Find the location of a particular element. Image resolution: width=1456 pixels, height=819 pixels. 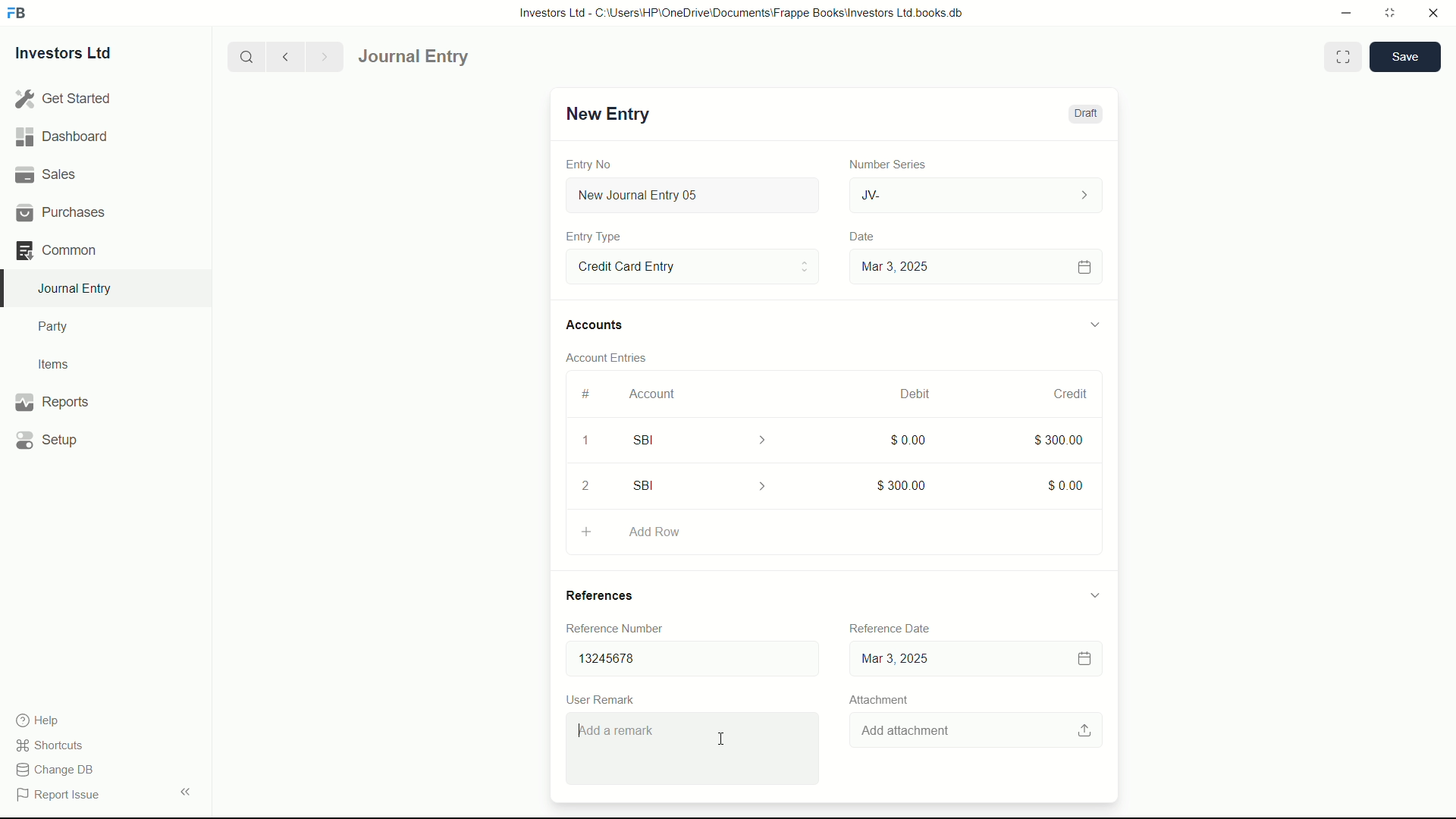

close is located at coordinates (1434, 14).